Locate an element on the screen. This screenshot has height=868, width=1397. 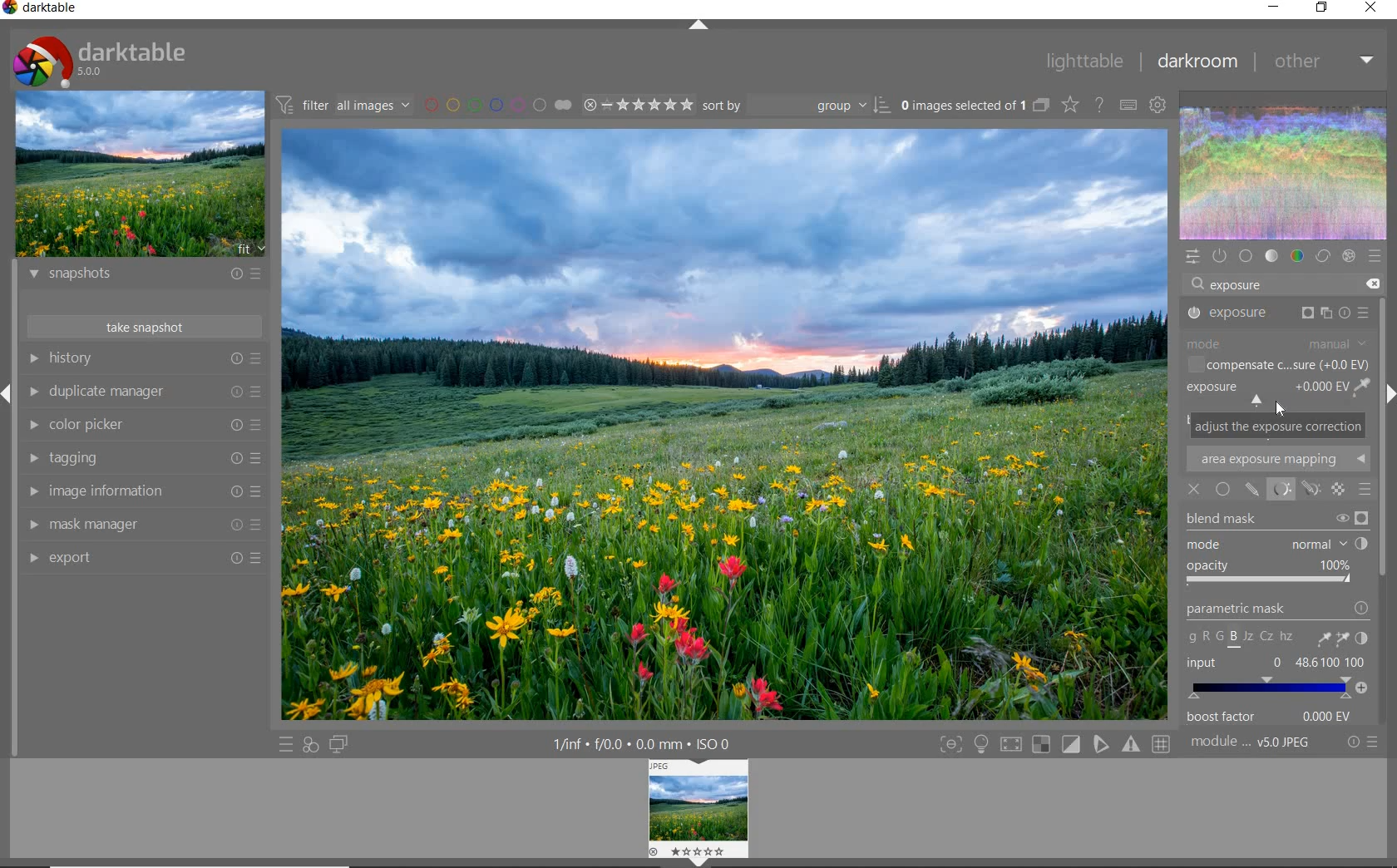
mask manager is located at coordinates (142, 525).